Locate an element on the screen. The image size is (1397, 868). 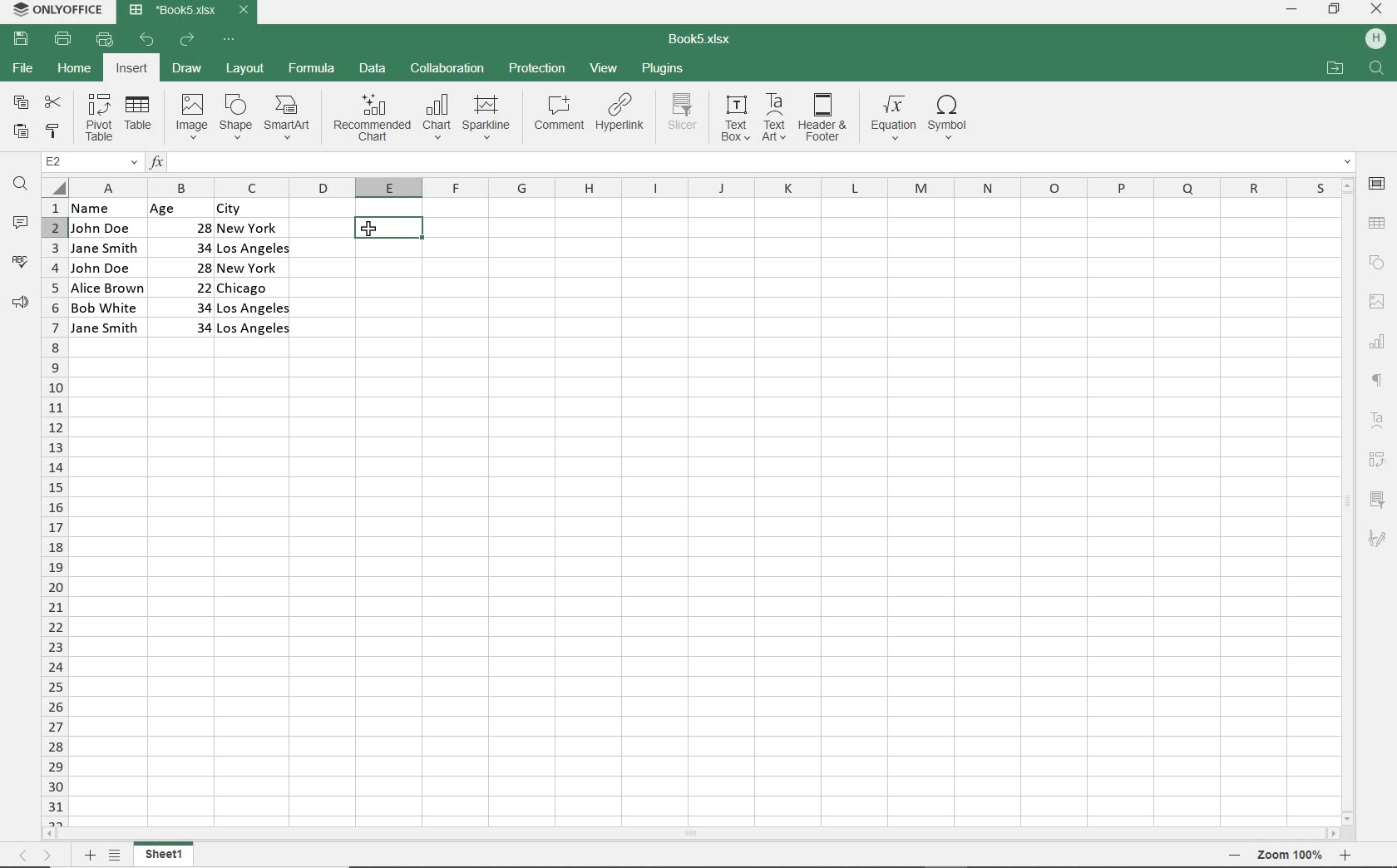
FIND is located at coordinates (19, 186).